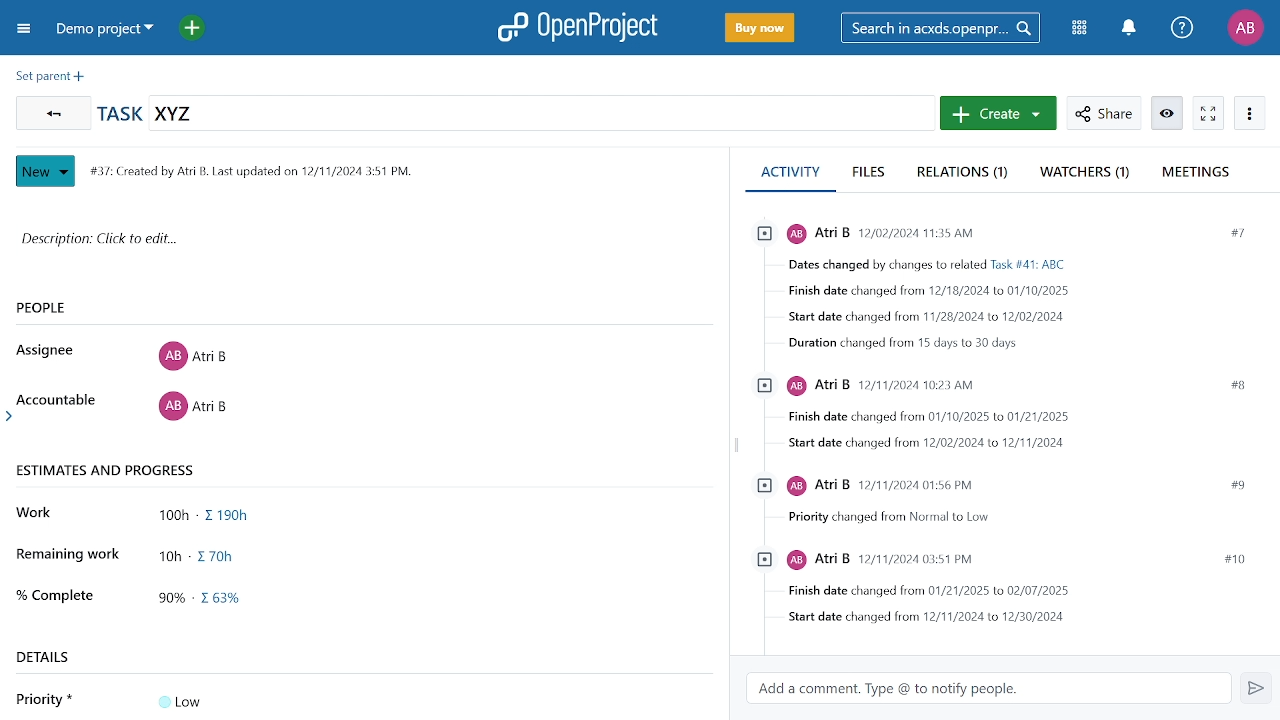 Image resolution: width=1280 pixels, height=720 pixels. I want to click on Work 100h - Sigma symbol 190h, so click(151, 517).